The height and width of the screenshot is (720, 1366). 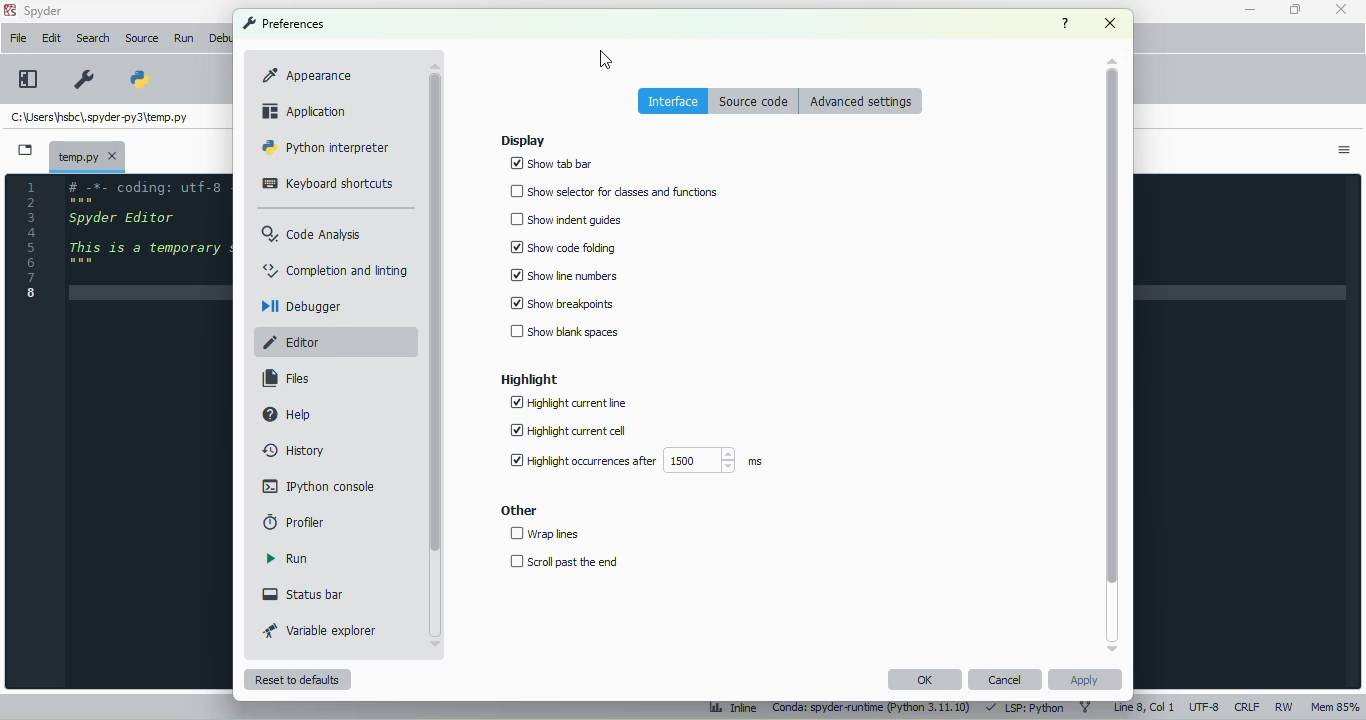 I want to click on editor, so click(x=295, y=343).